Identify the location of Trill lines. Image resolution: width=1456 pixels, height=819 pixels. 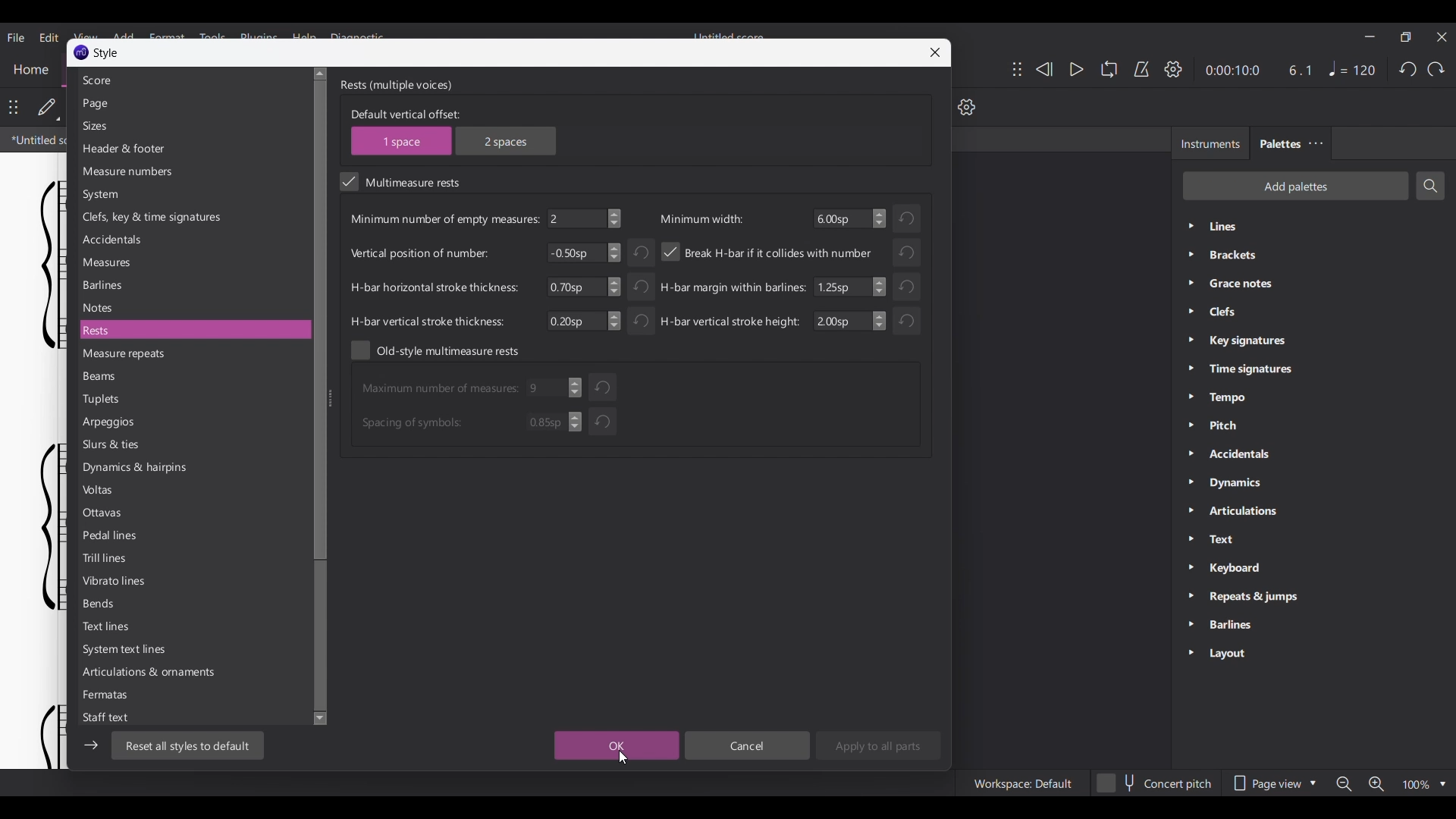
(192, 558).